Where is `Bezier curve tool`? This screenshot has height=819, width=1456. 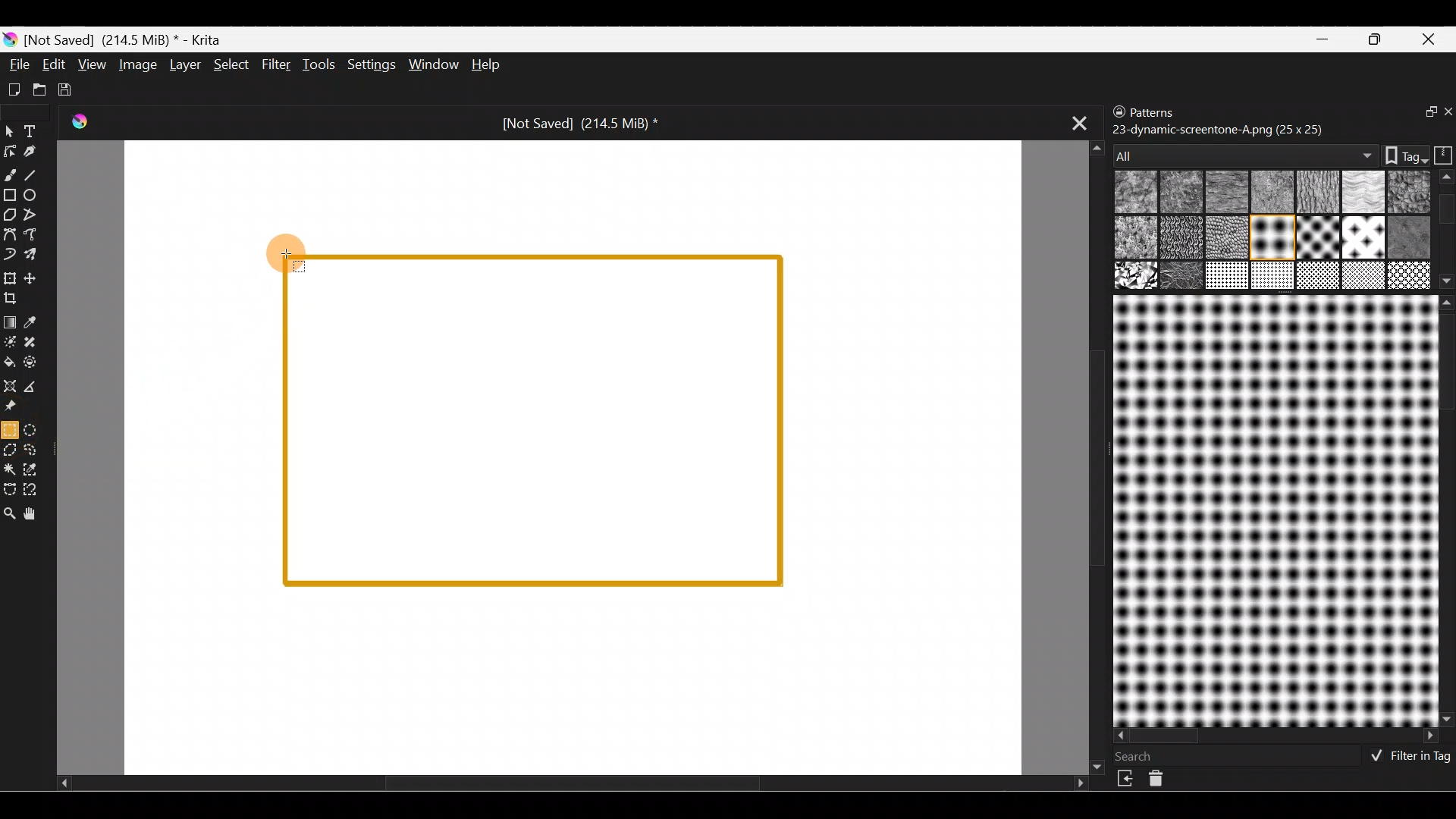
Bezier curve tool is located at coordinates (9, 236).